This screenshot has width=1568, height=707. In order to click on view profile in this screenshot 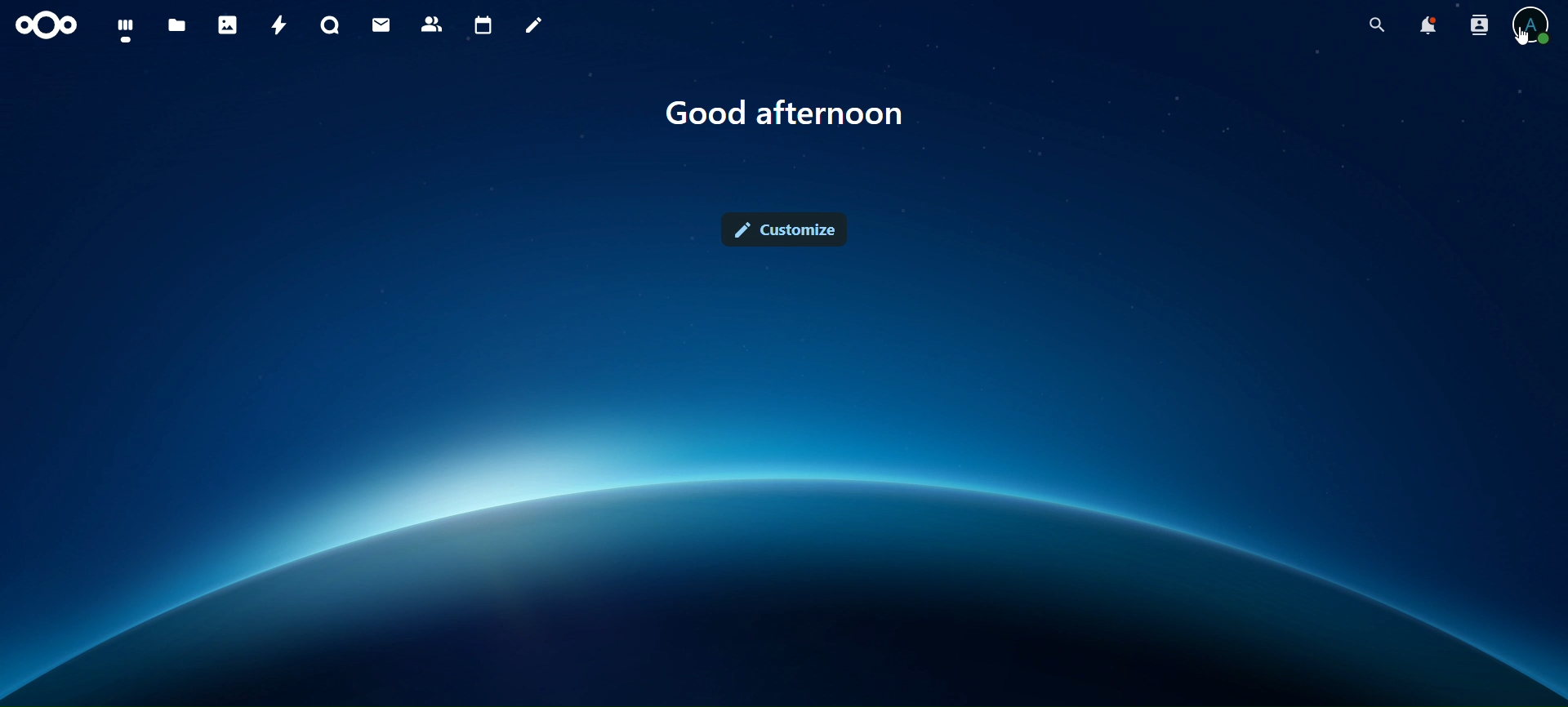, I will do `click(1534, 16)`.